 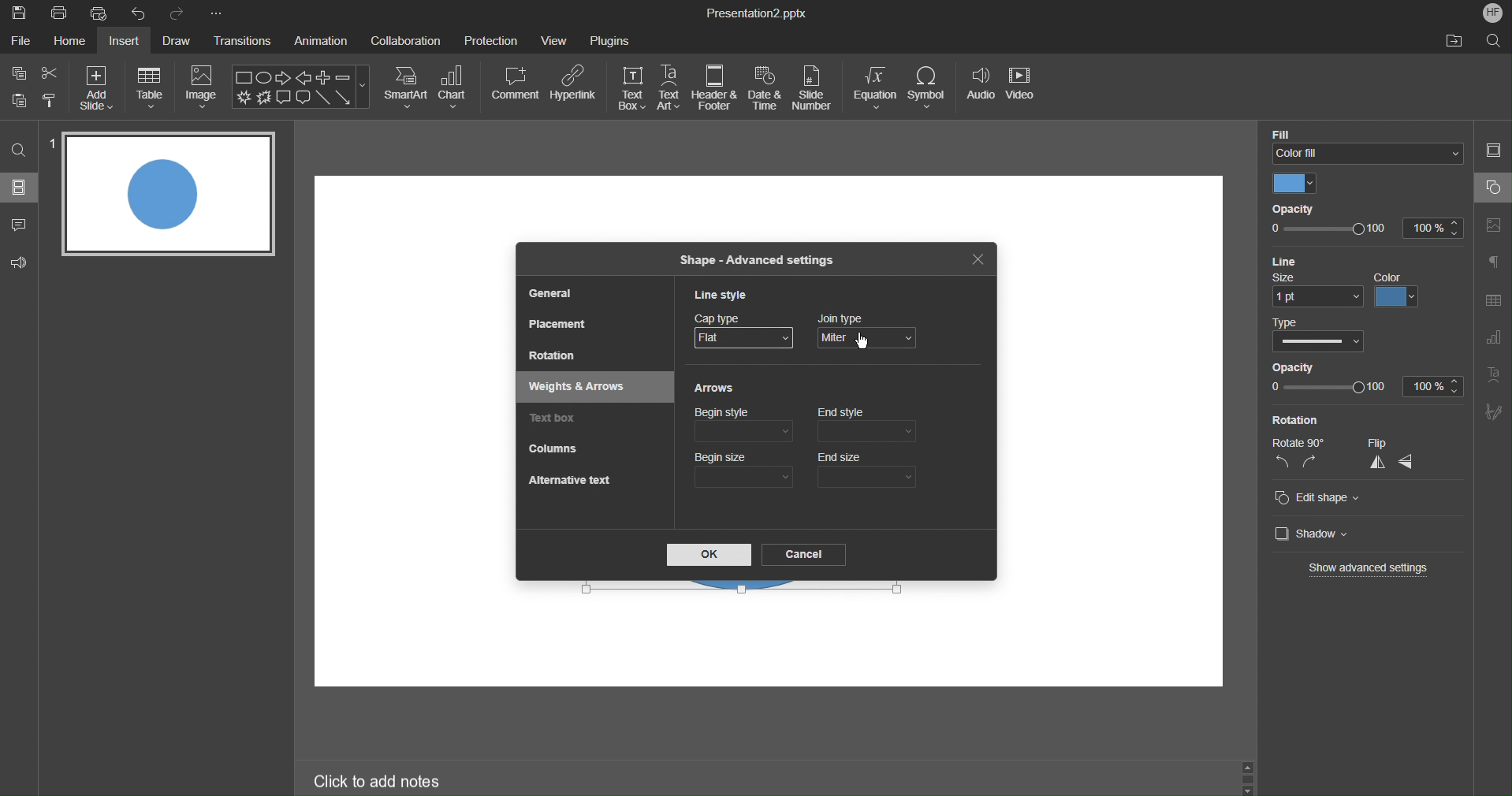 I want to click on Edit shape, so click(x=1318, y=499).